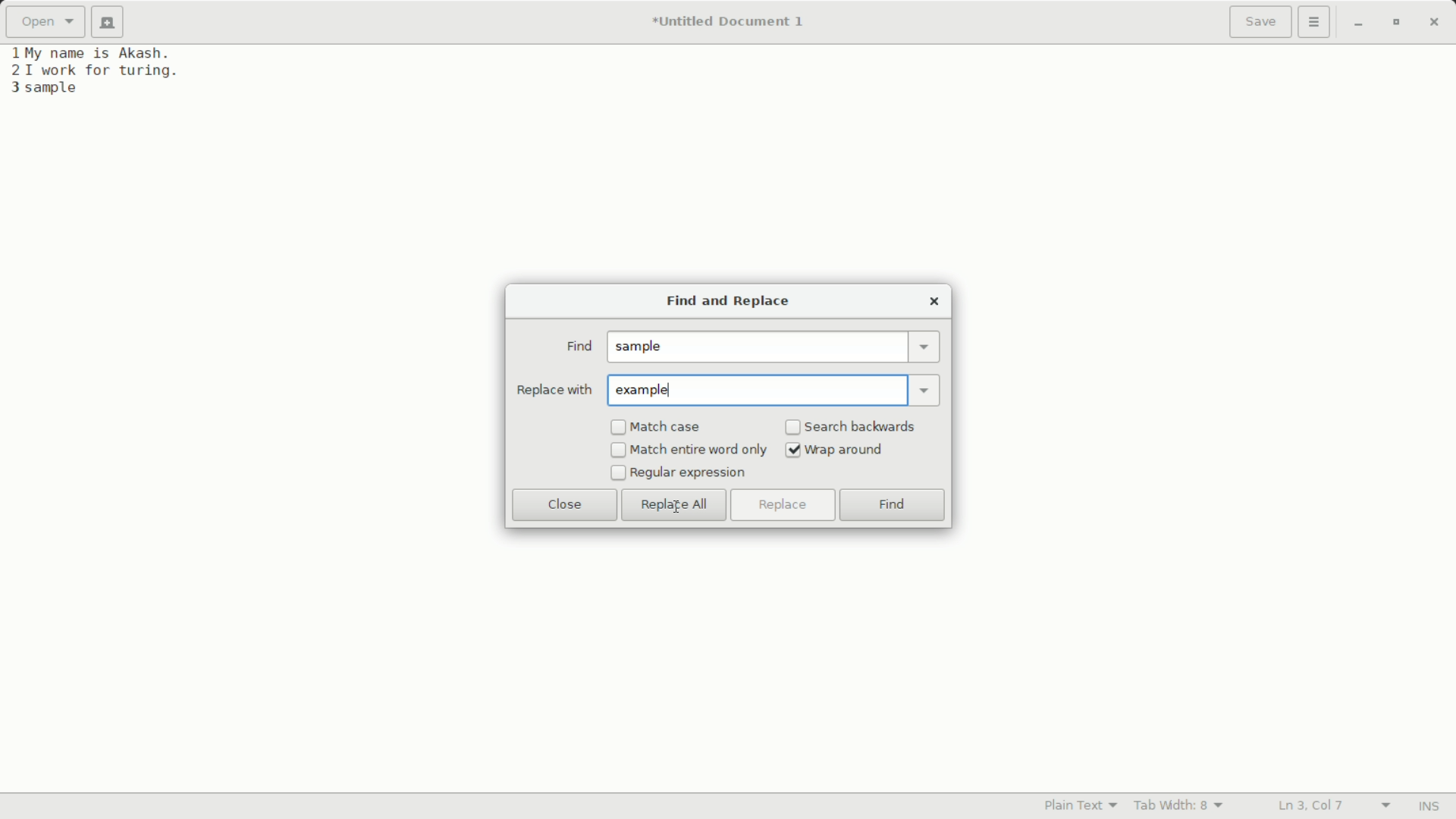 This screenshot has height=819, width=1456. Describe the element at coordinates (725, 303) in the screenshot. I see `find and replace` at that location.